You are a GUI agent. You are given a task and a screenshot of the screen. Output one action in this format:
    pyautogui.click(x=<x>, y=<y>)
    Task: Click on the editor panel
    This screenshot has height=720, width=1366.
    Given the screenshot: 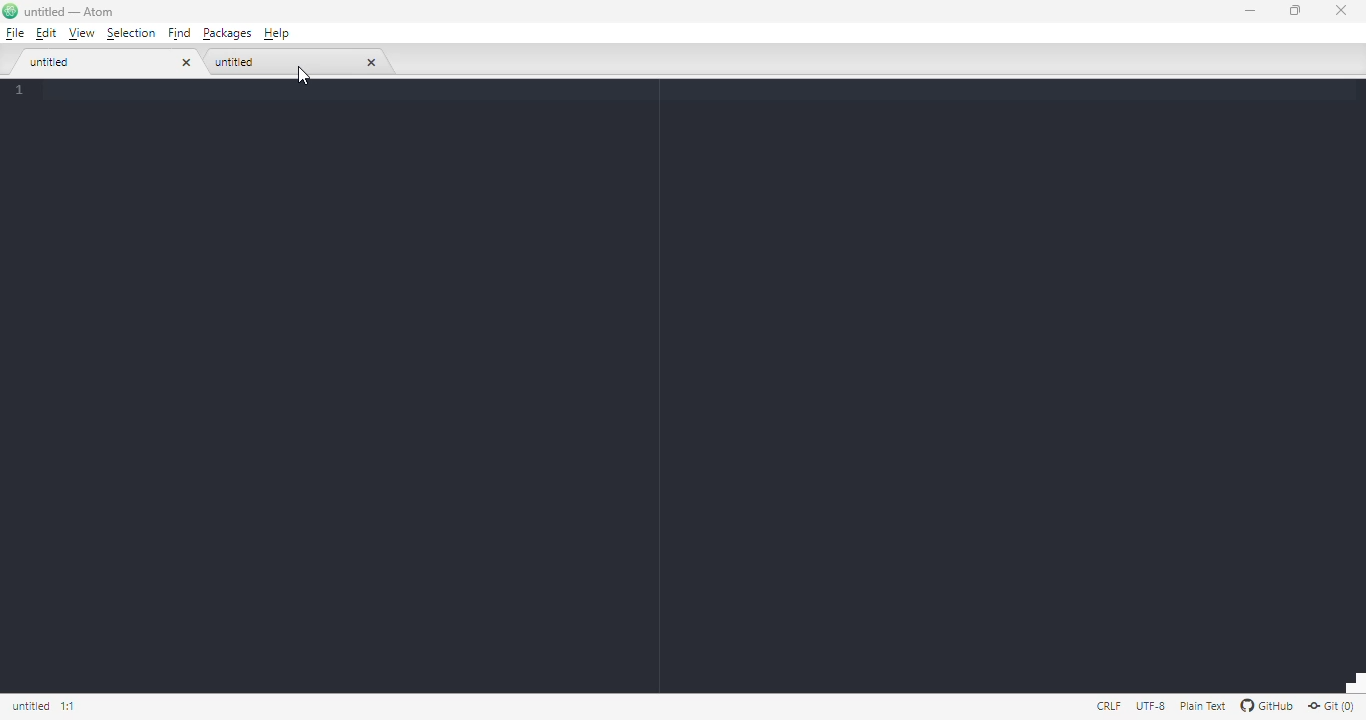 What is the action you would take?
    pyautogui.click(x=684, y=397)
    